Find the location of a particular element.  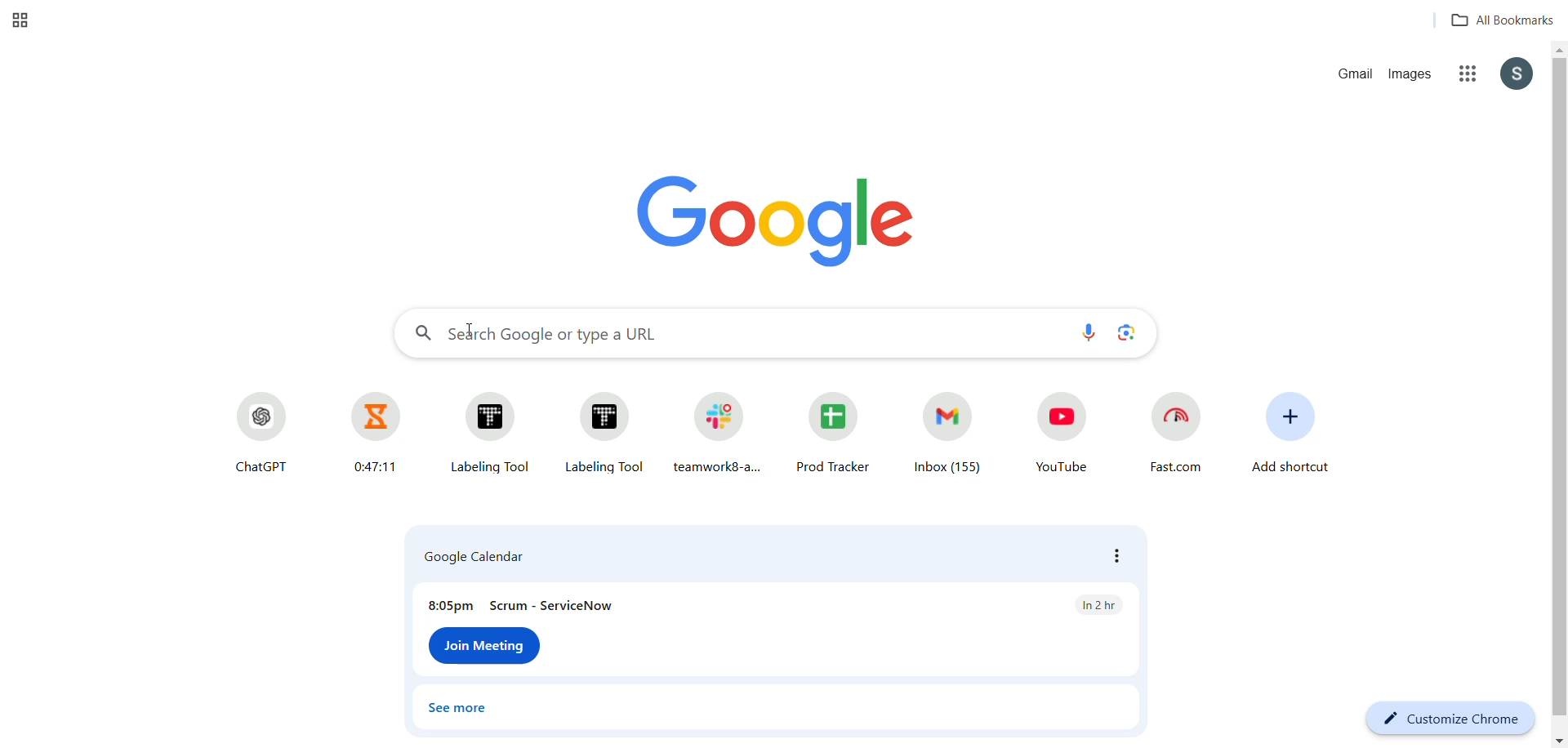

see more is located at coordinates (457, 710).